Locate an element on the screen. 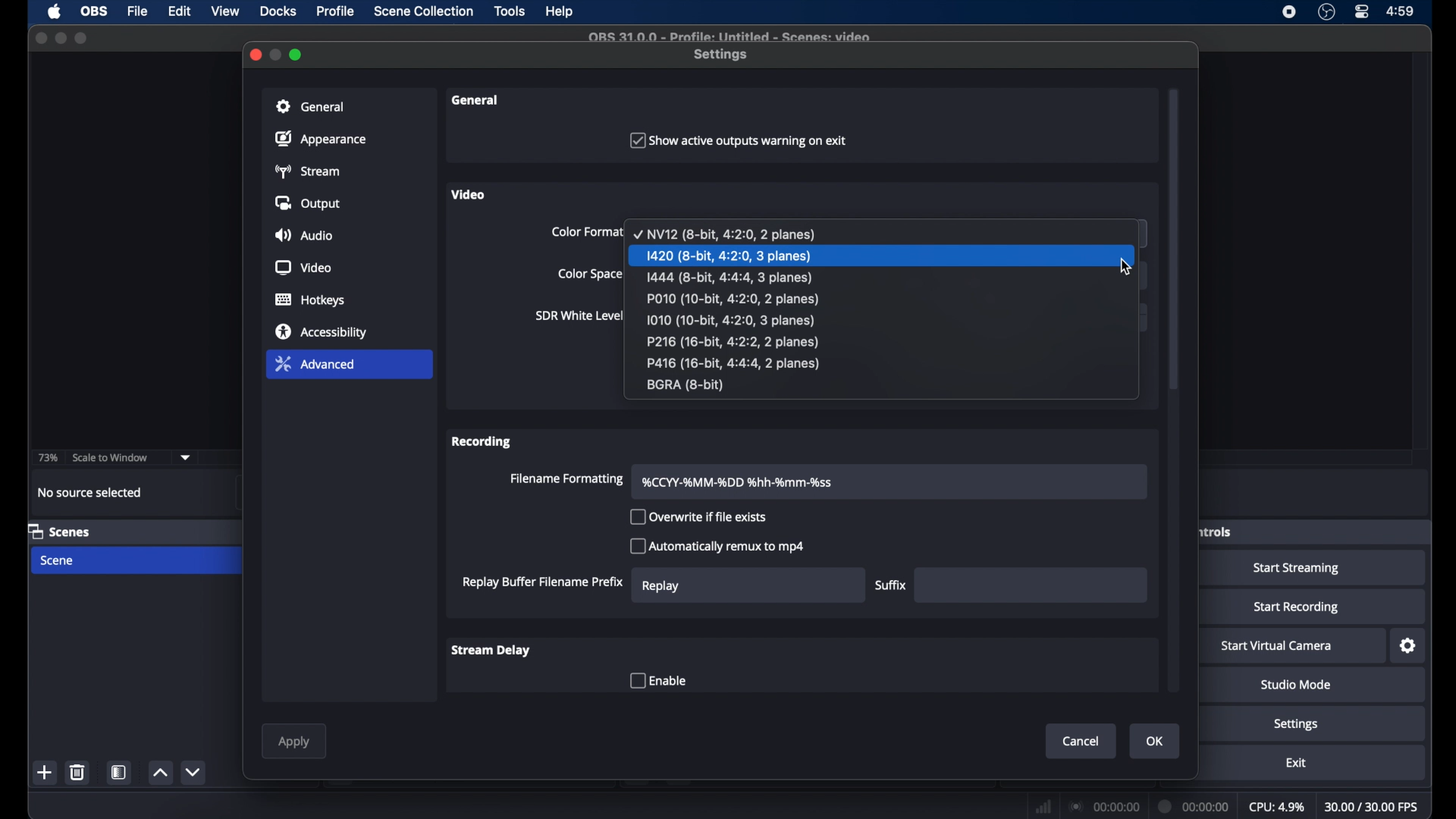 This screenshot has width=1456, height=819. scroll bar is located at coordinates (1175, 237).